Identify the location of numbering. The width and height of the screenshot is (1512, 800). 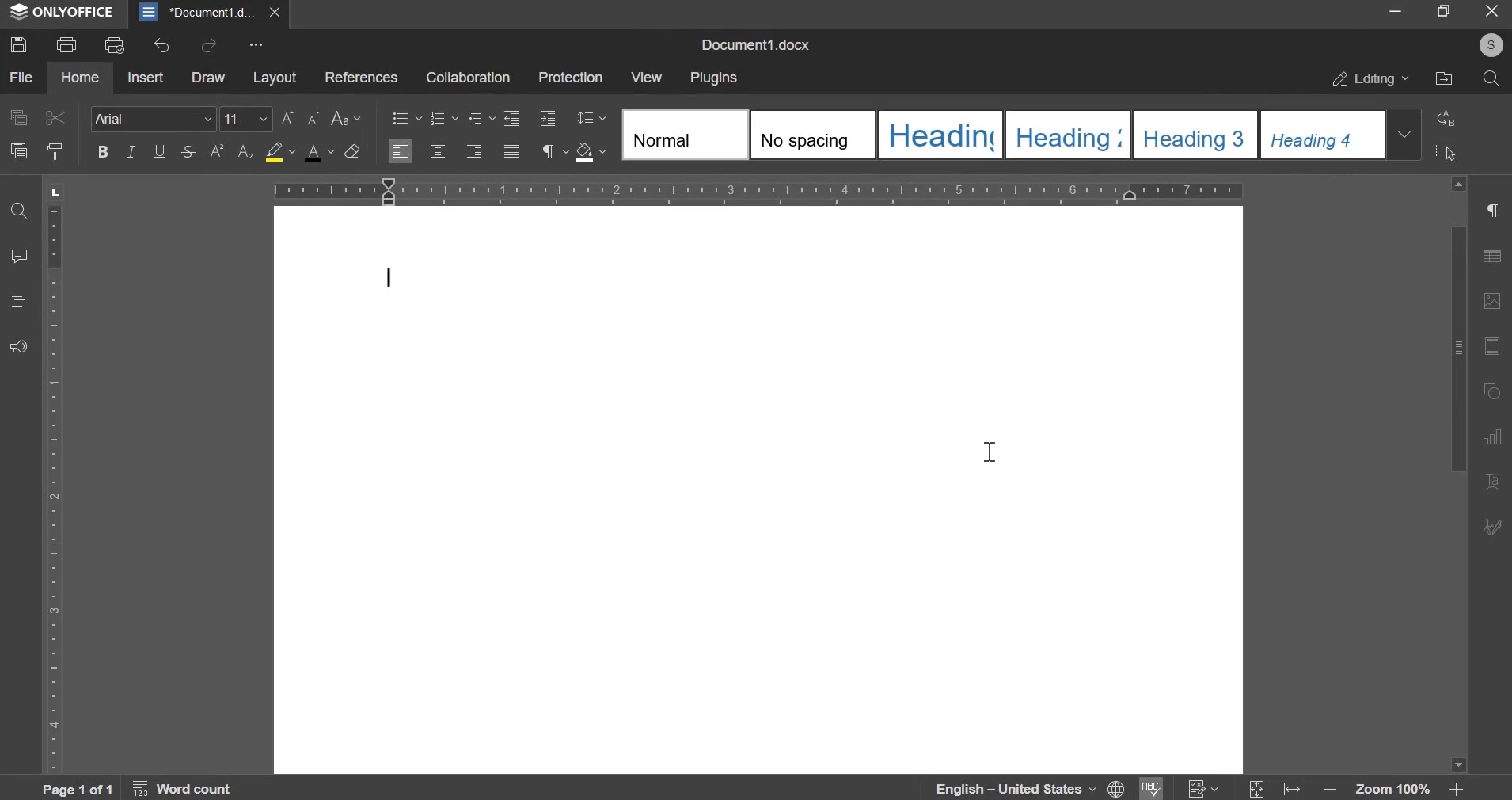
(445, 120).